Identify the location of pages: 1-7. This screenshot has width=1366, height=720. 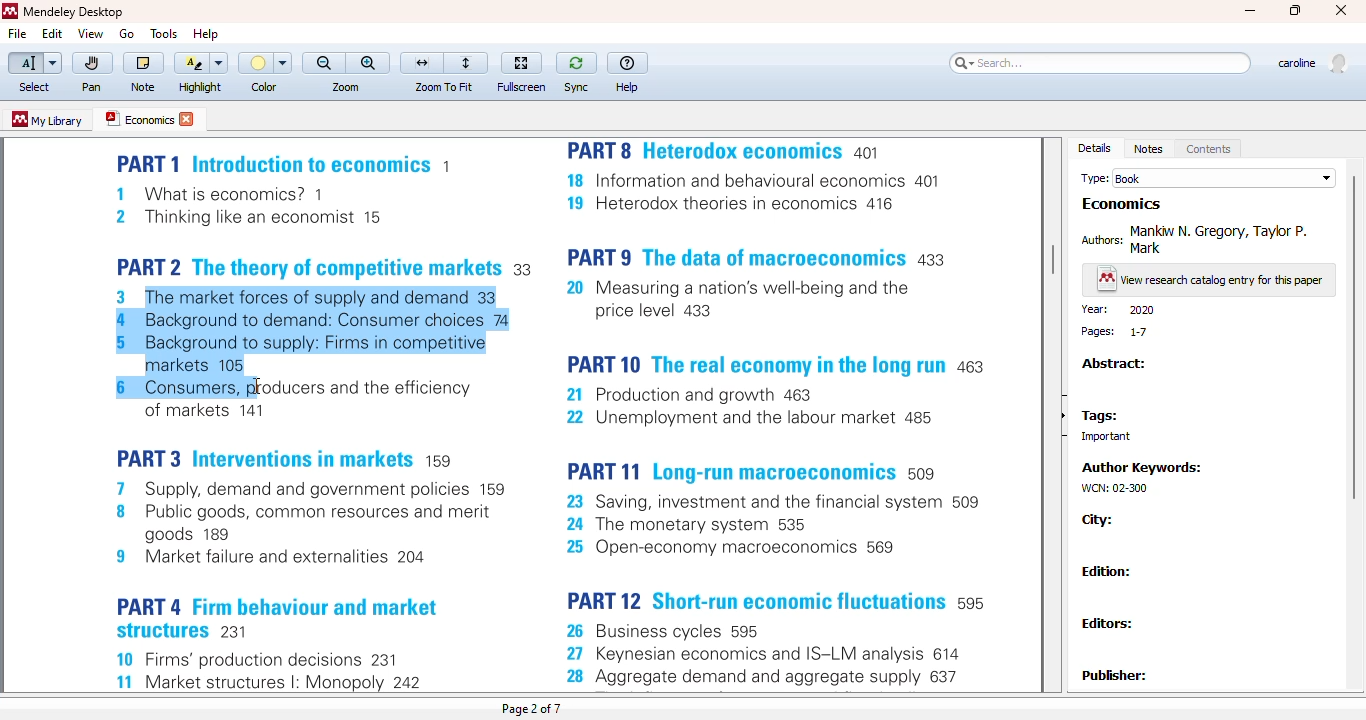
(1116, 332).